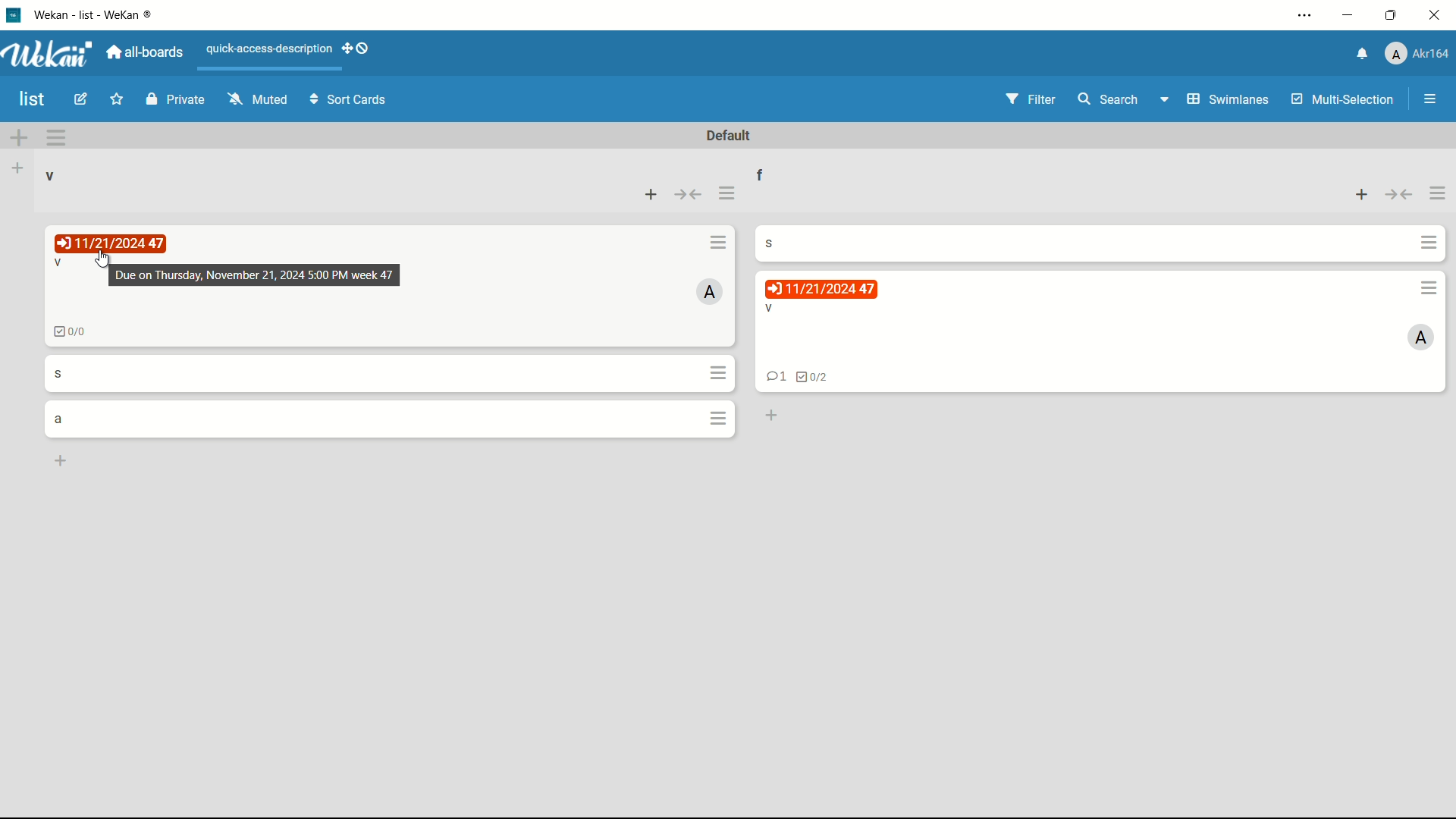 The image size is (1456, 819). I want to click on card name, so click(58, 372).